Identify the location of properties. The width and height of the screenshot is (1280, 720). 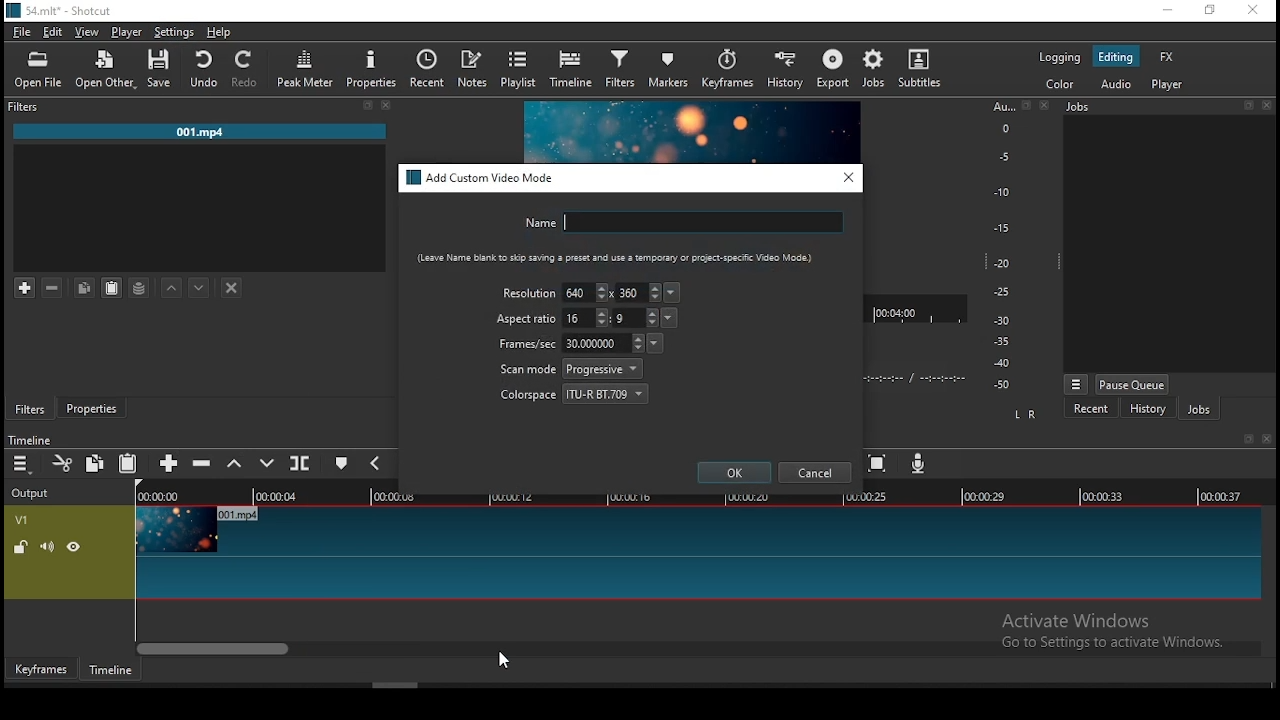
(373, 68).